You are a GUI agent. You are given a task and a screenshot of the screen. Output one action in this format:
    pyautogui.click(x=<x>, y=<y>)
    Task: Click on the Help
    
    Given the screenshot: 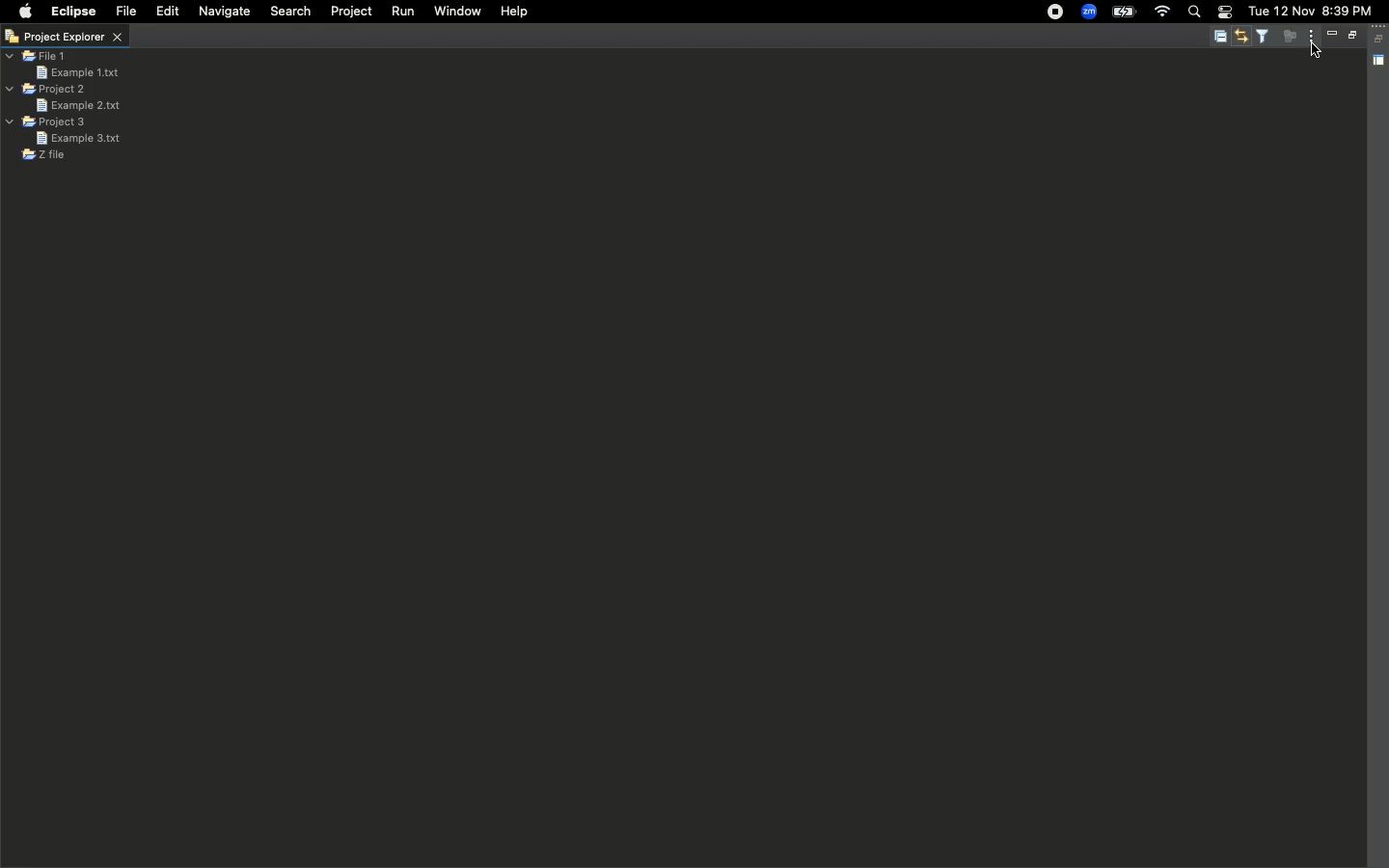 What is the action you would take?
    pyautogui.click(x=516, y=13)
    